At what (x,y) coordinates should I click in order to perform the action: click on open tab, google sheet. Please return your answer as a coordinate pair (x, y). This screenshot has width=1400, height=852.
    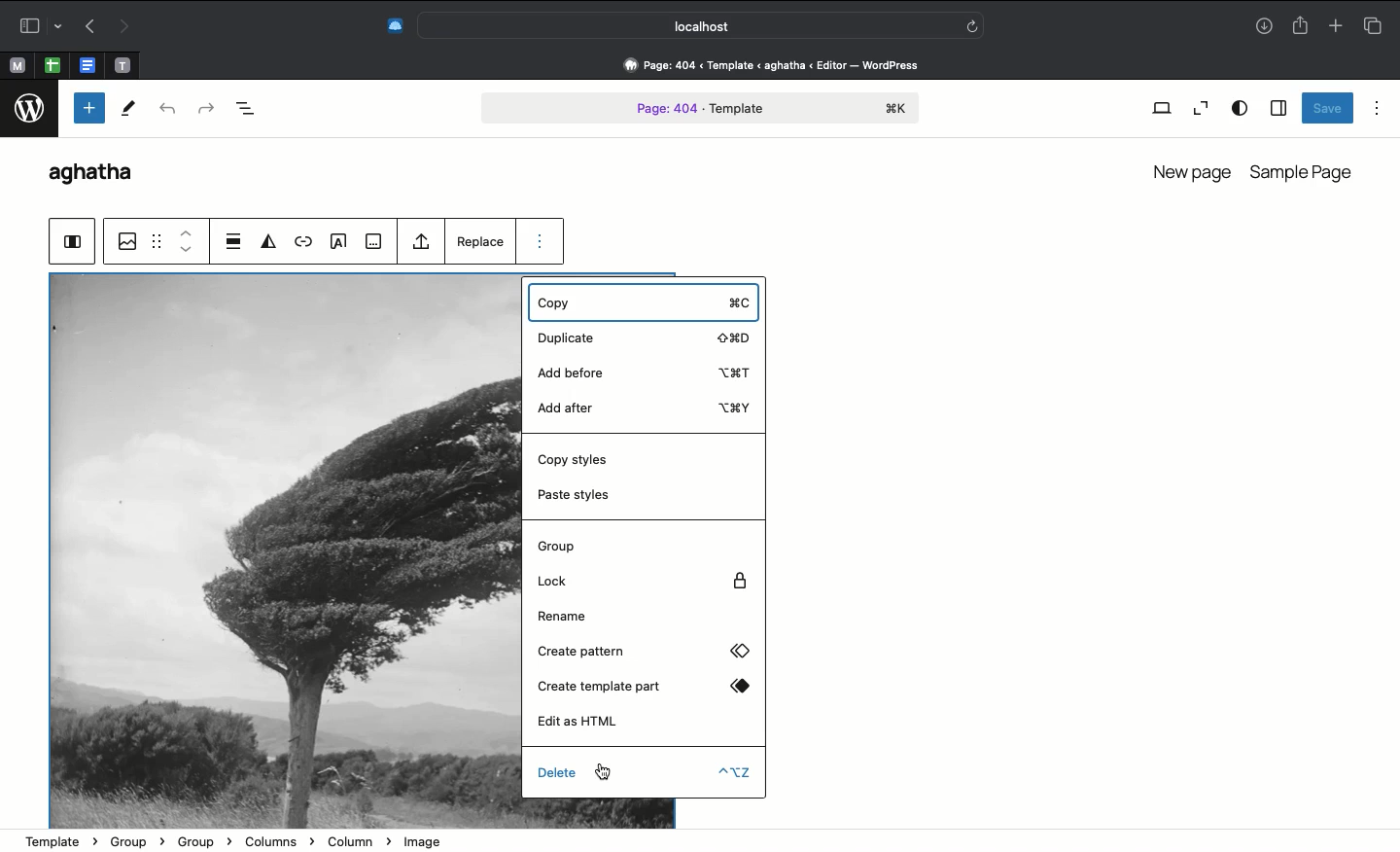
    Looking at the image, I should click on (51, 65).